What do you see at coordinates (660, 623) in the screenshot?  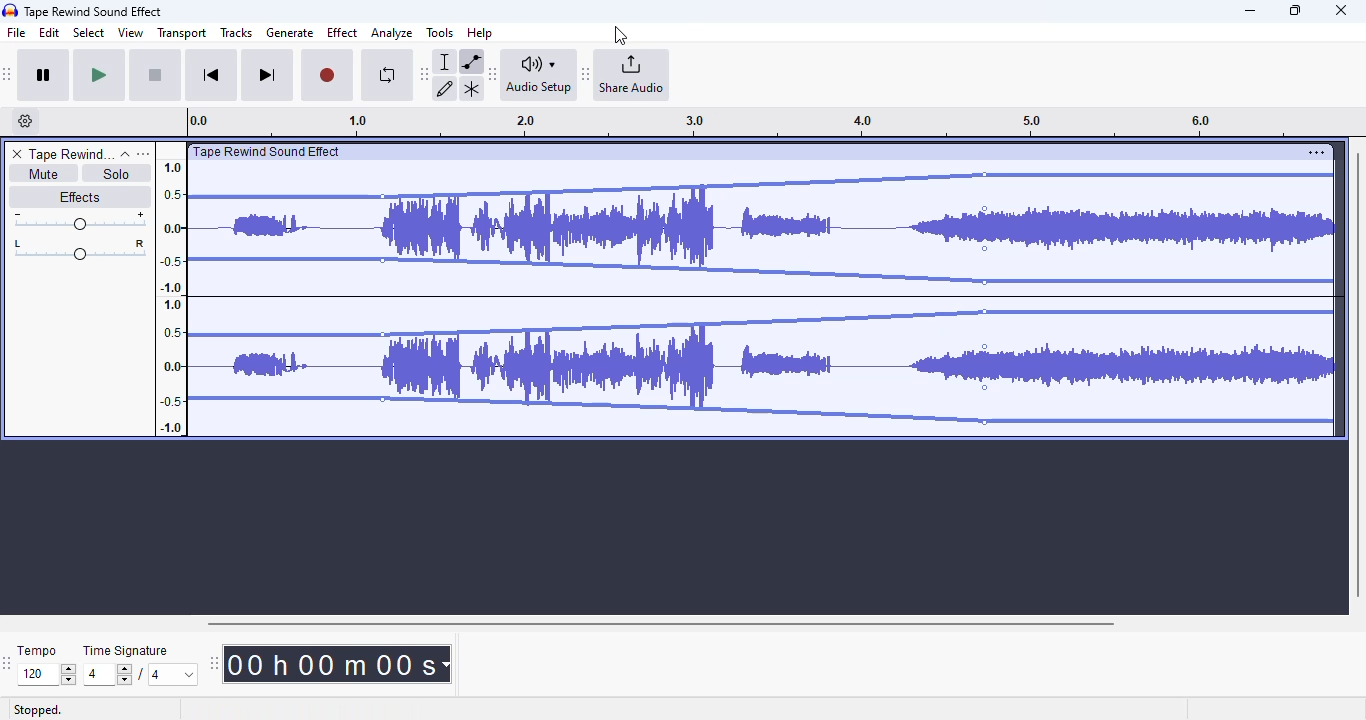 I see `horizontal scroll bar` at bounding box center [660, 623].